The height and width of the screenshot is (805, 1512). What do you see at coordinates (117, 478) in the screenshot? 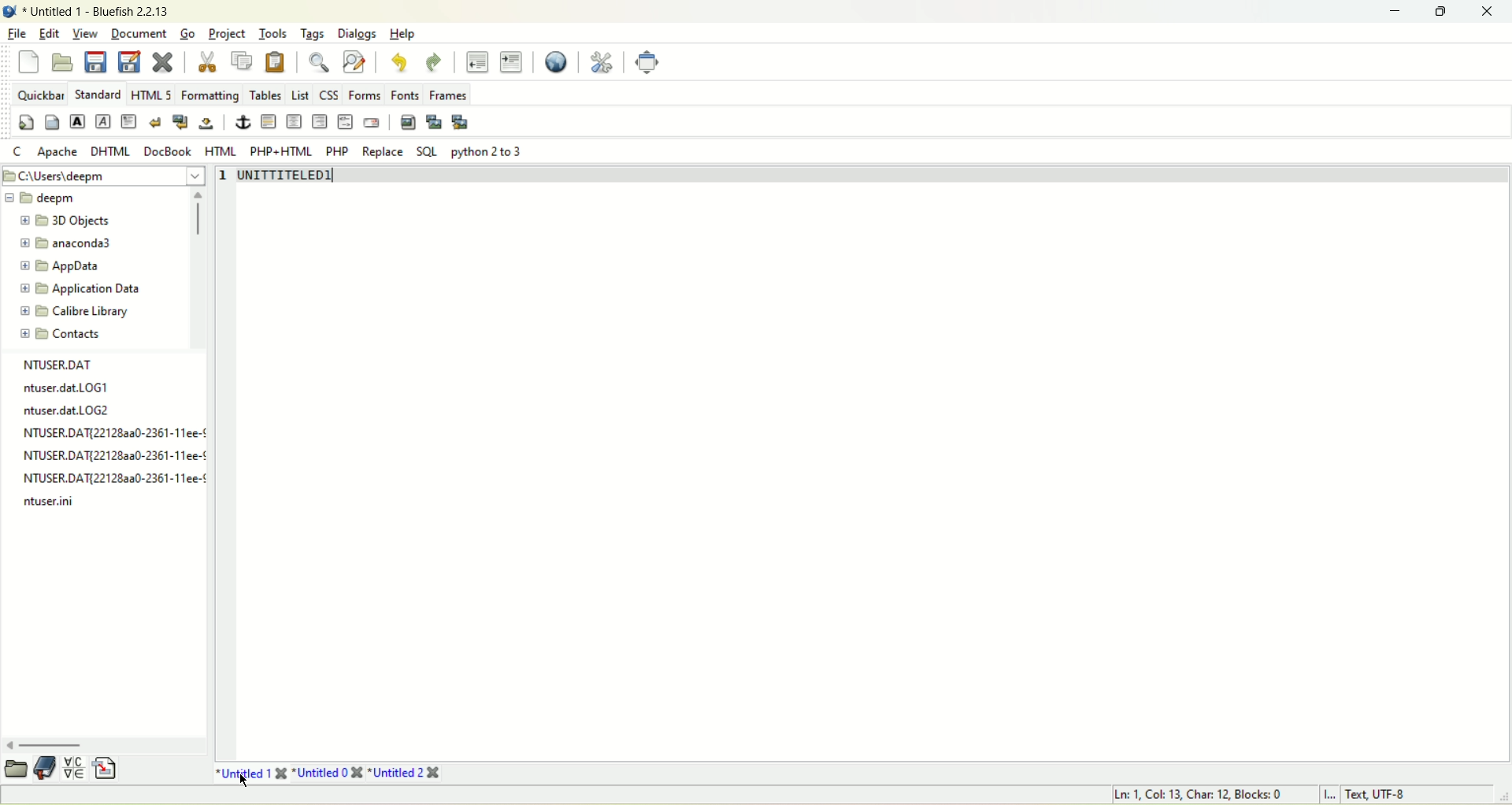
I see `log` at bounding box center [117, 478].